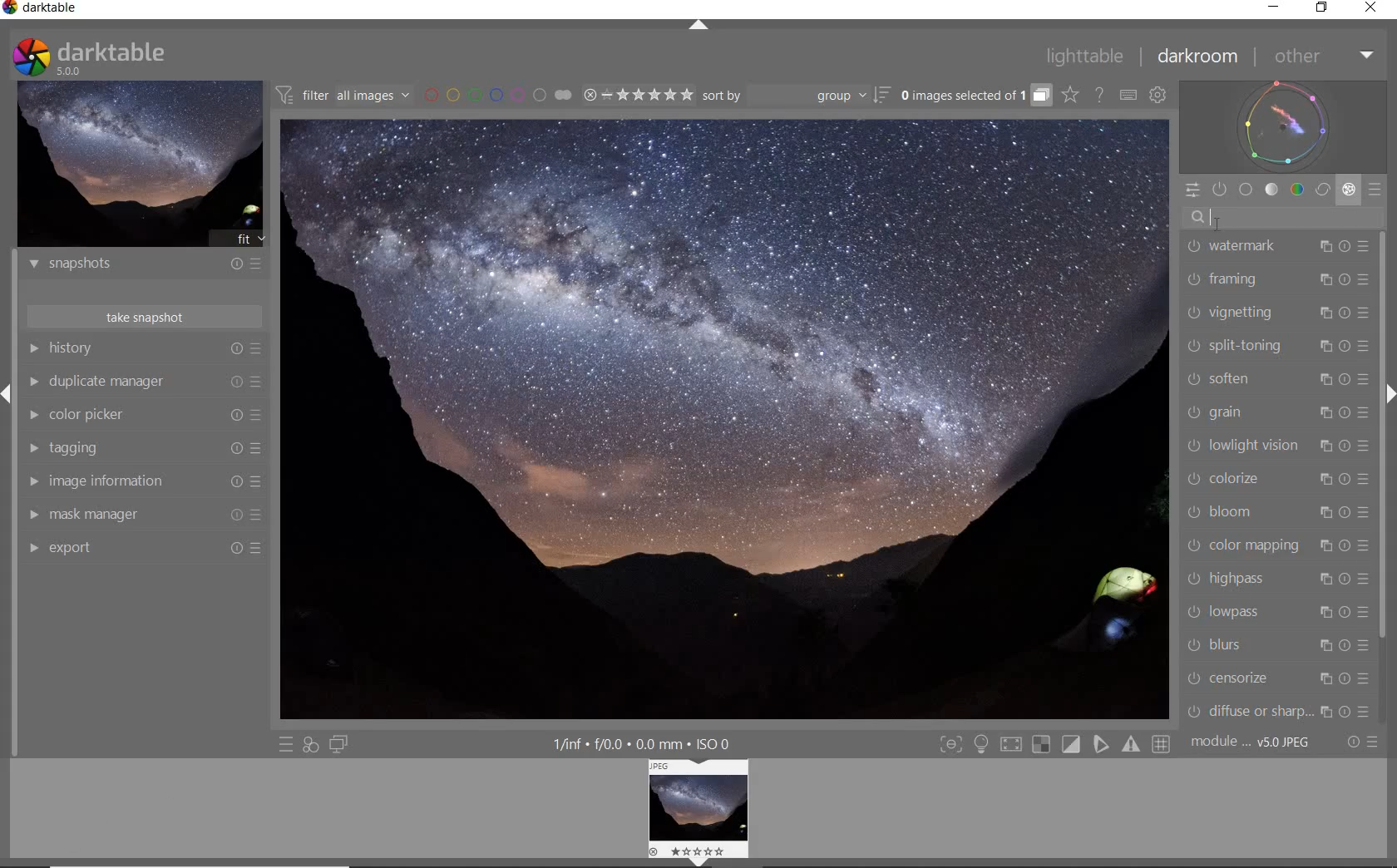 This screenshot has width=1397, height=868. I want to click on SCROLLBAR, so click(1383, 438).